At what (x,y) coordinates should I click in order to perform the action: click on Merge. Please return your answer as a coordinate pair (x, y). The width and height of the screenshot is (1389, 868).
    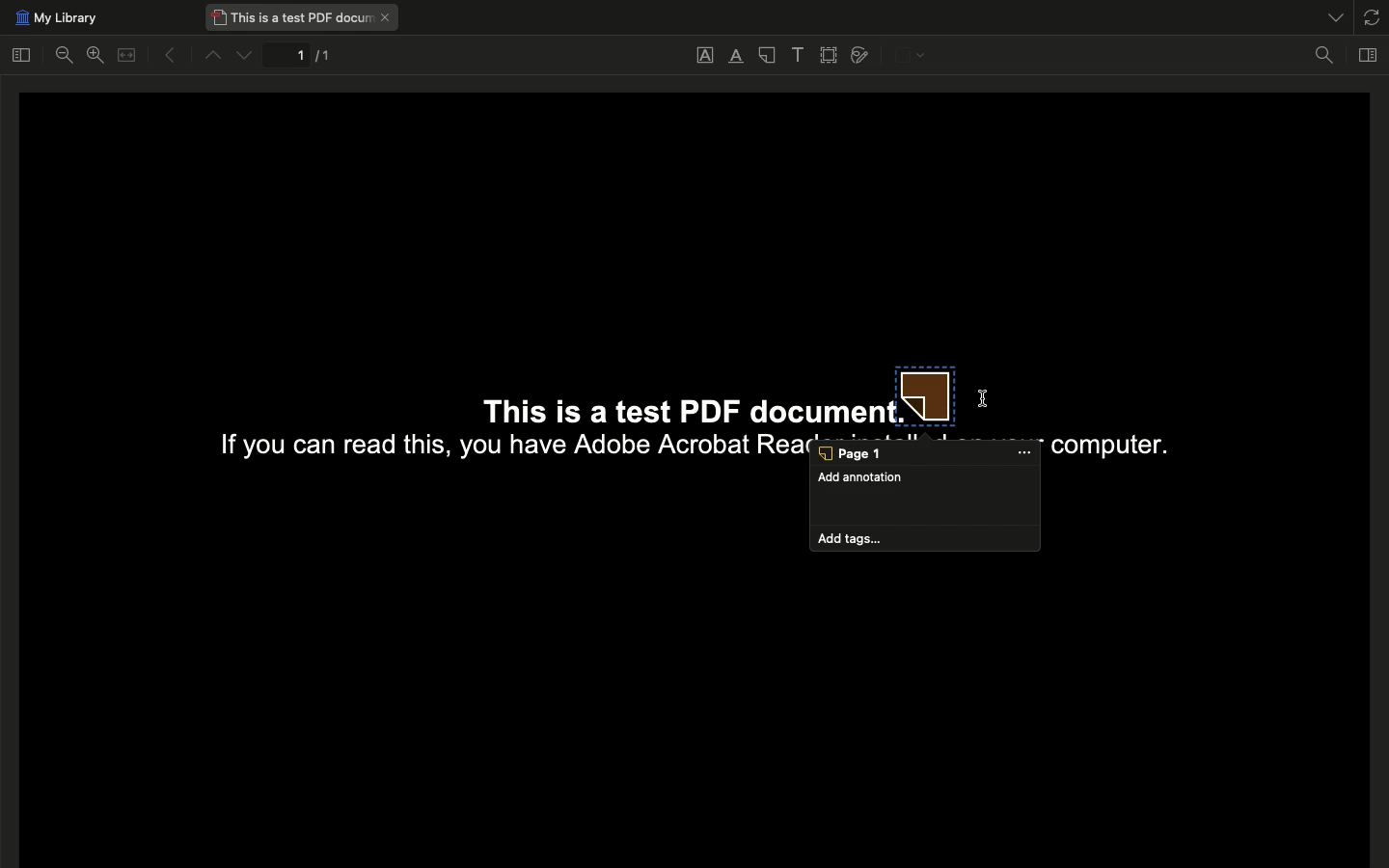
    Looking at the image, I should click on (126, 56).